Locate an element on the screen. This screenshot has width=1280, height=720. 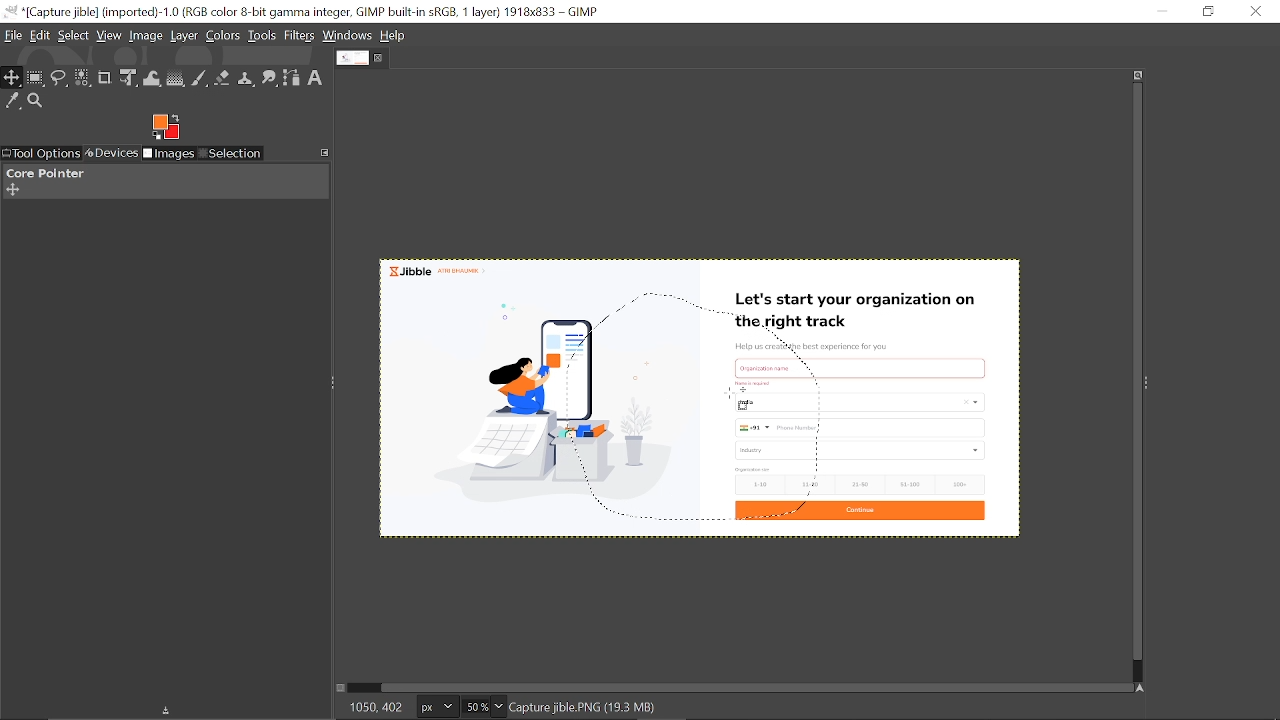
Wrap text tool is located at coordinates (153, 79).